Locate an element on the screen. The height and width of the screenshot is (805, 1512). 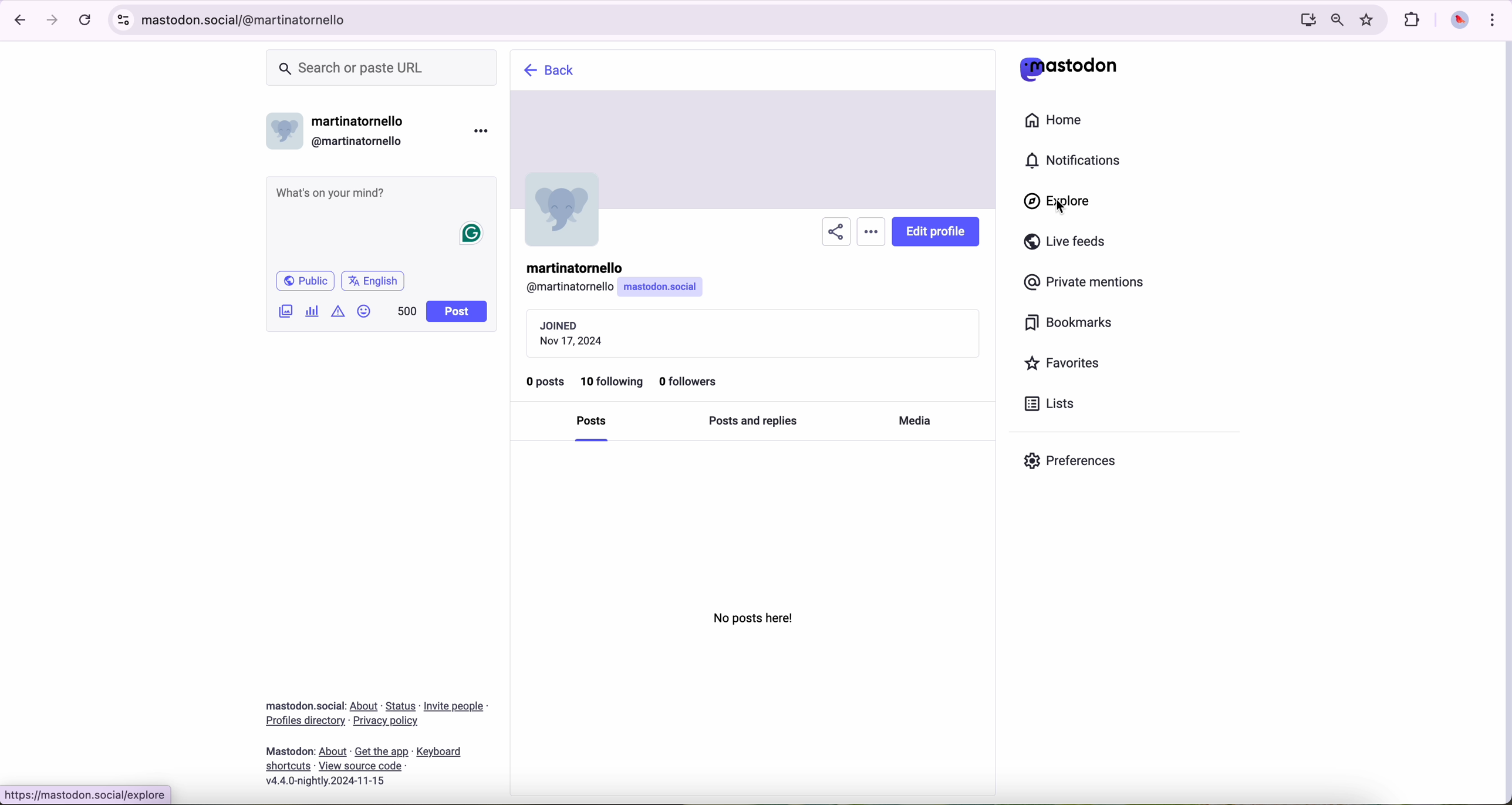
mastodon logo is located at coordinates (1068, 68).